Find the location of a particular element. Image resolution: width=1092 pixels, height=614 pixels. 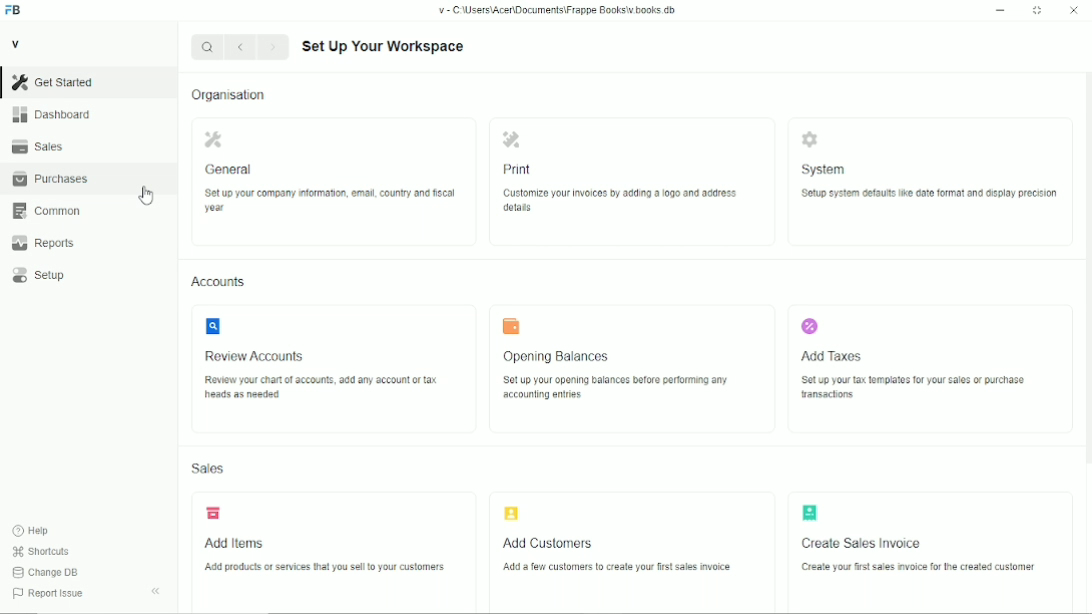

Gel Started is located at coordinates (56, 82).